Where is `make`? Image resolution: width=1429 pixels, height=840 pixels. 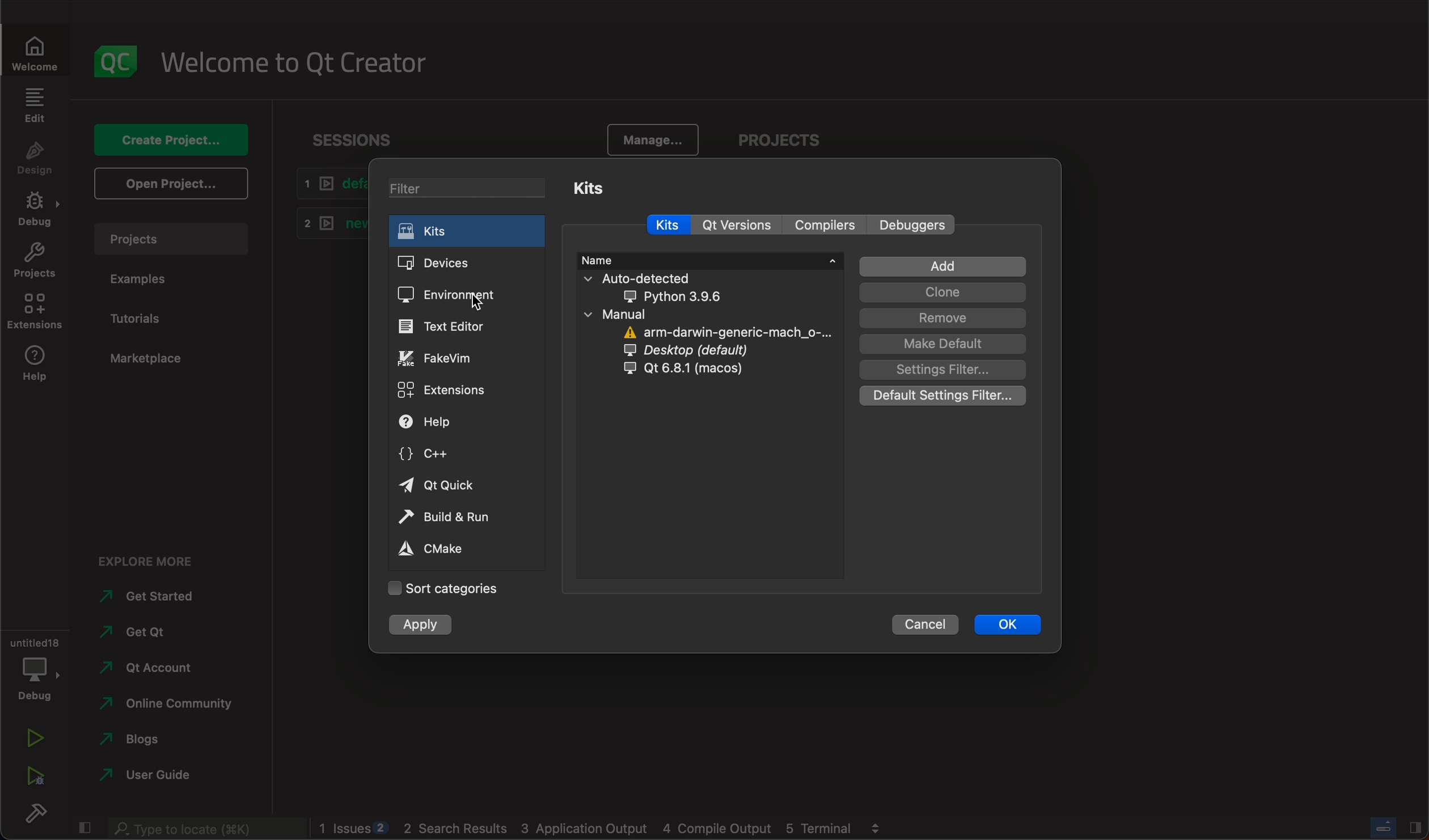 make is located at coordinates (942, 344).